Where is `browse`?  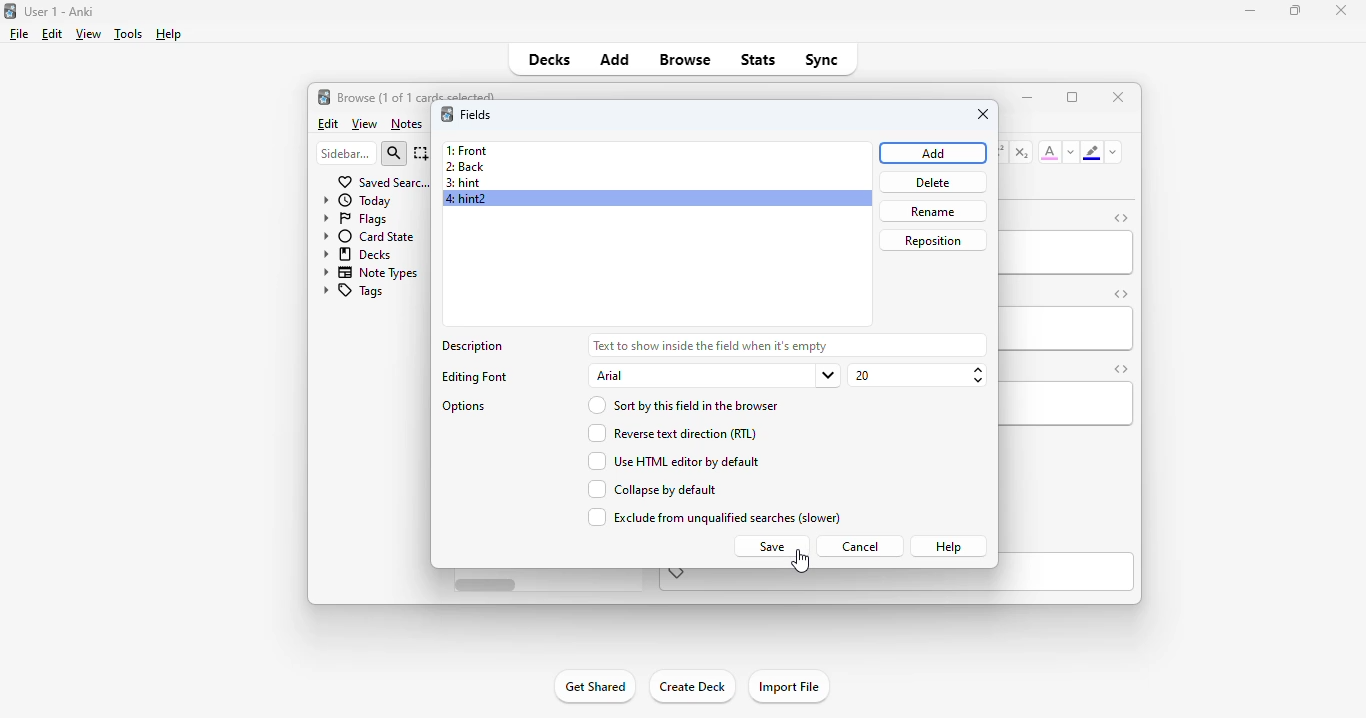
browse is located at coordinates (685, 59).